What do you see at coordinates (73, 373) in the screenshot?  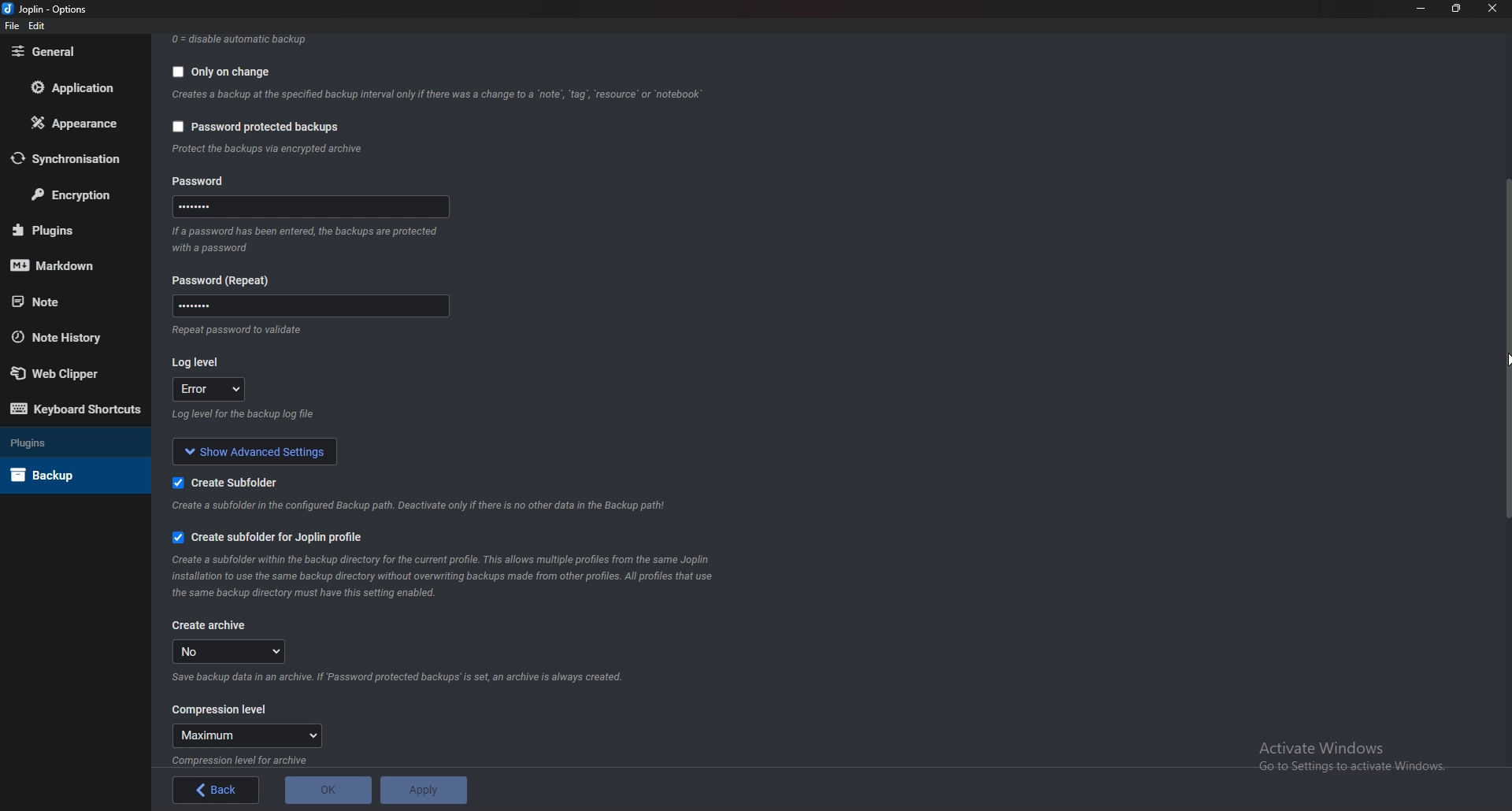 I see `Web Clipper` at bounding box center [73, 373].